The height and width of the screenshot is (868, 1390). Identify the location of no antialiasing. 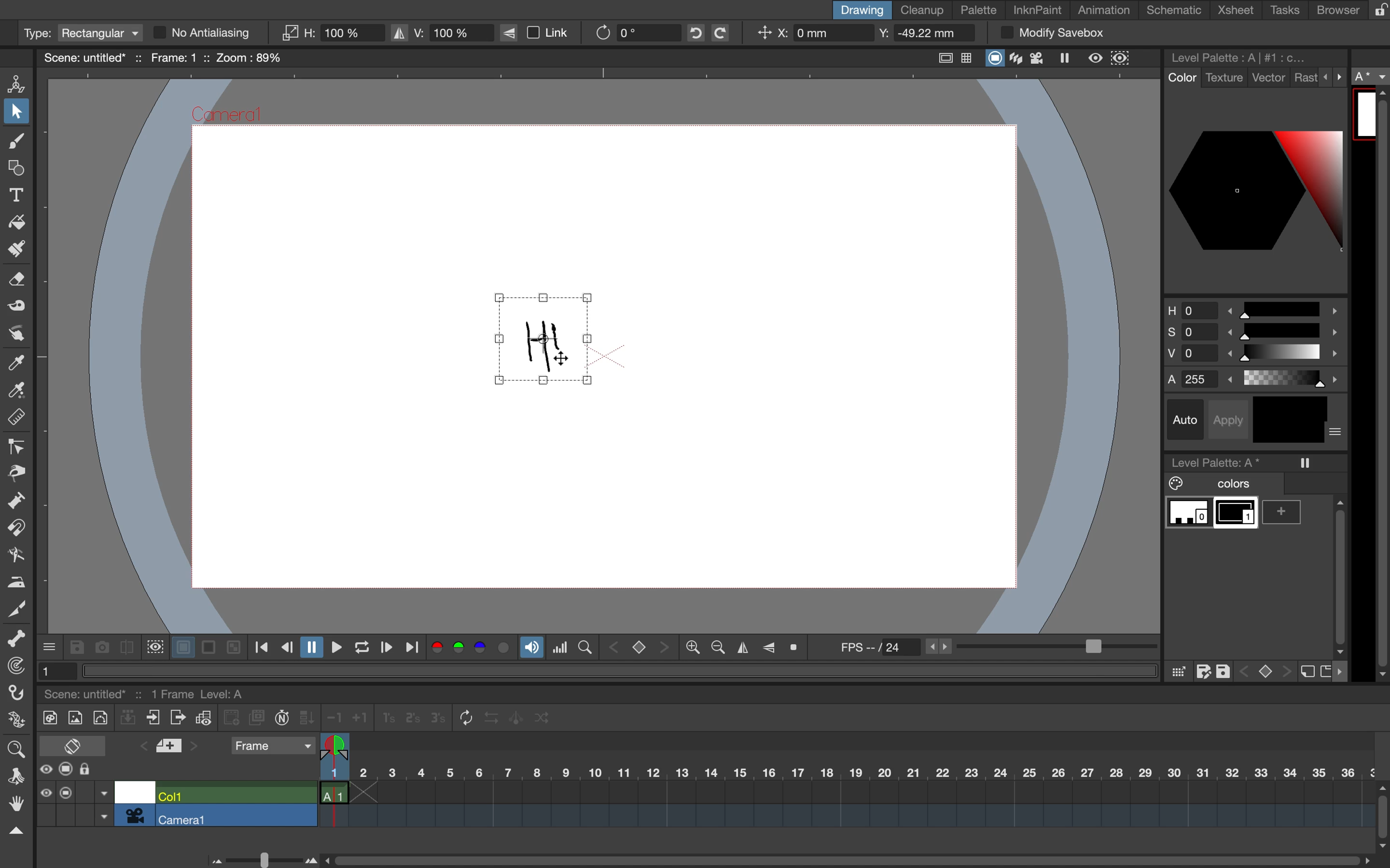
(213, 33).